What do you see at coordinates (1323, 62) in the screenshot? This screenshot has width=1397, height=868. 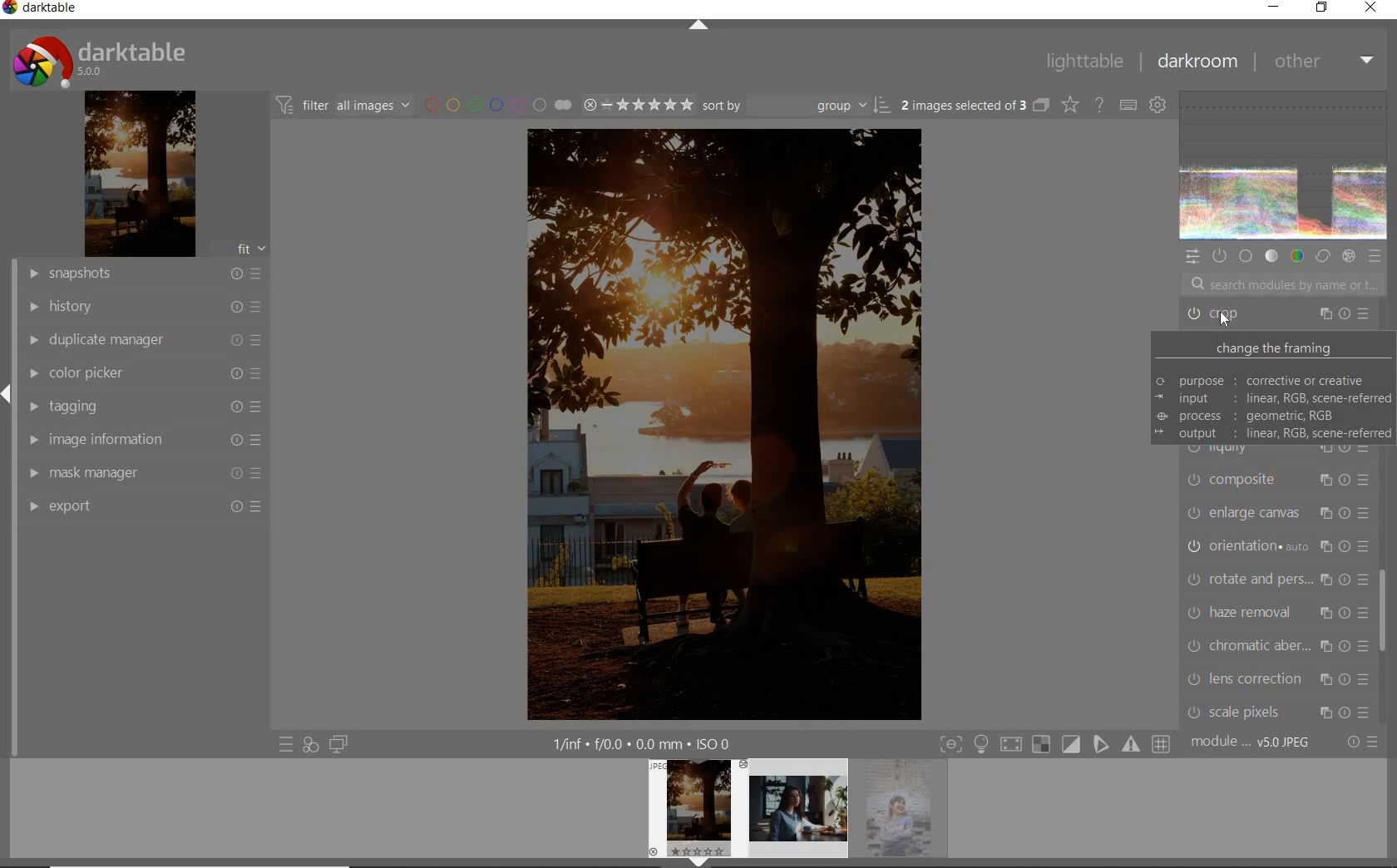 I see `other` at bounding box center [1323, 62].